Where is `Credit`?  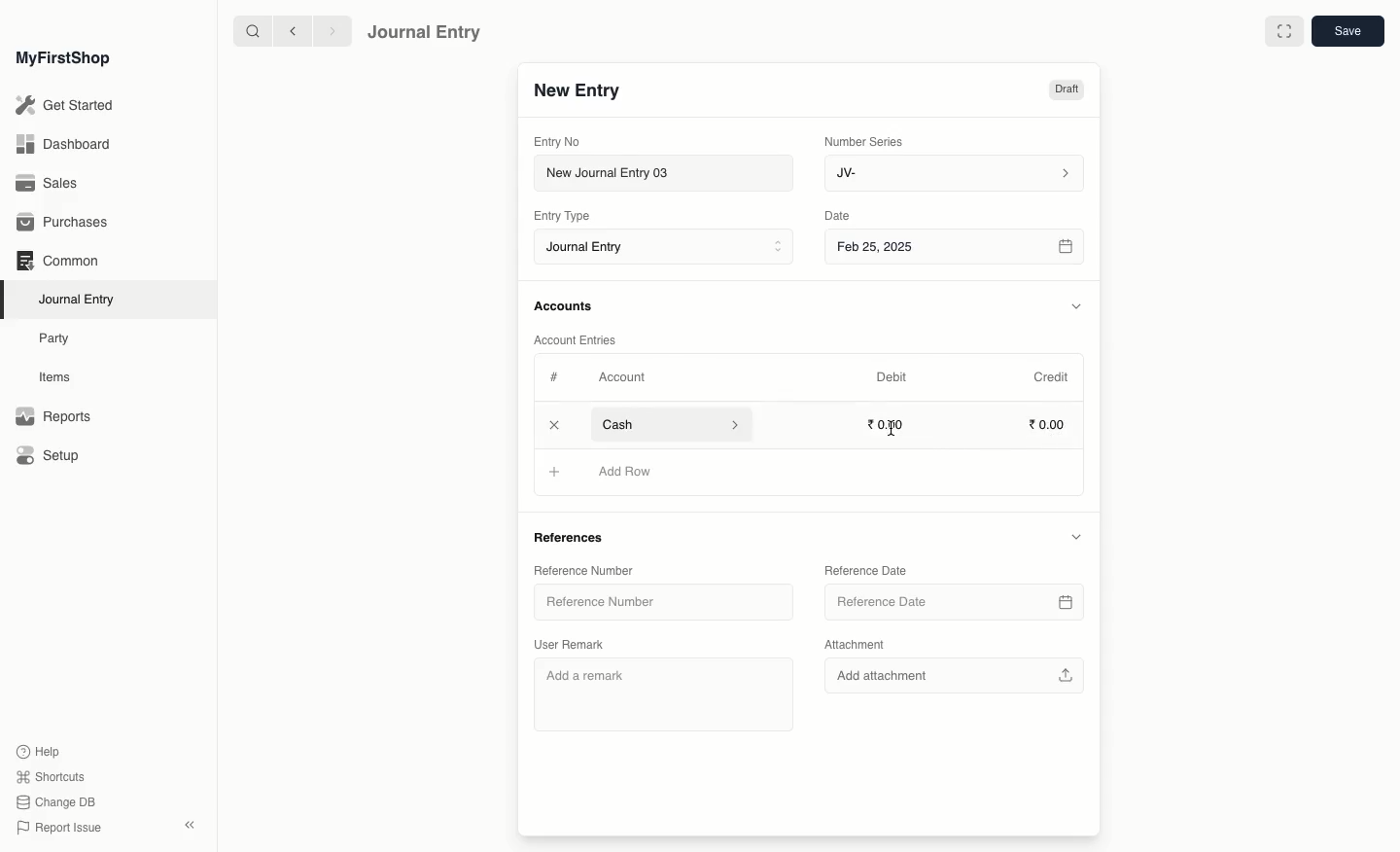
Credit is located at coordinates (1050, 375).